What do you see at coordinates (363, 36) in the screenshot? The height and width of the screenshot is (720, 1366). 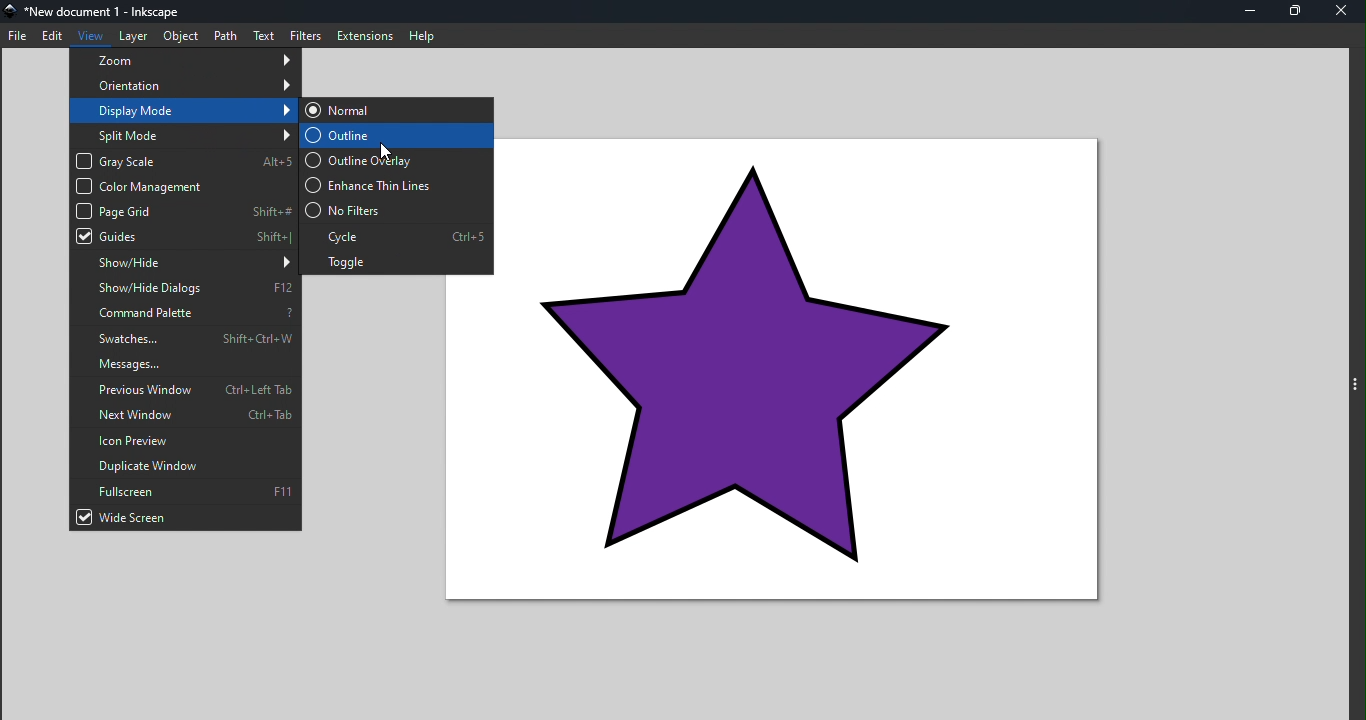 I see `Extensions` at bounding box center [363, 36].